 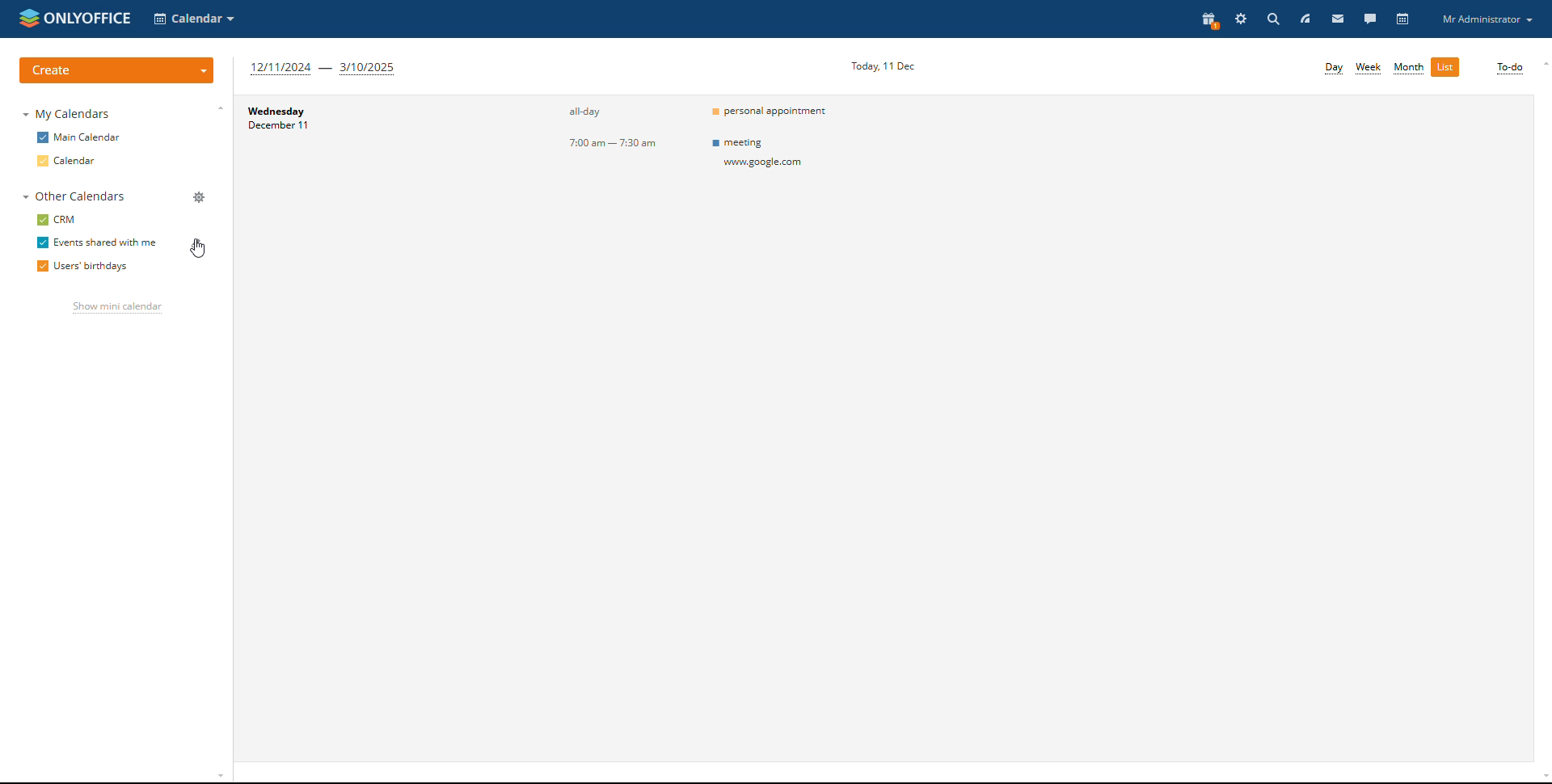 What do you see at coordinates (1542, 64) in the screenshot?
I see `scroll up` at bounding box center [1542, 64].